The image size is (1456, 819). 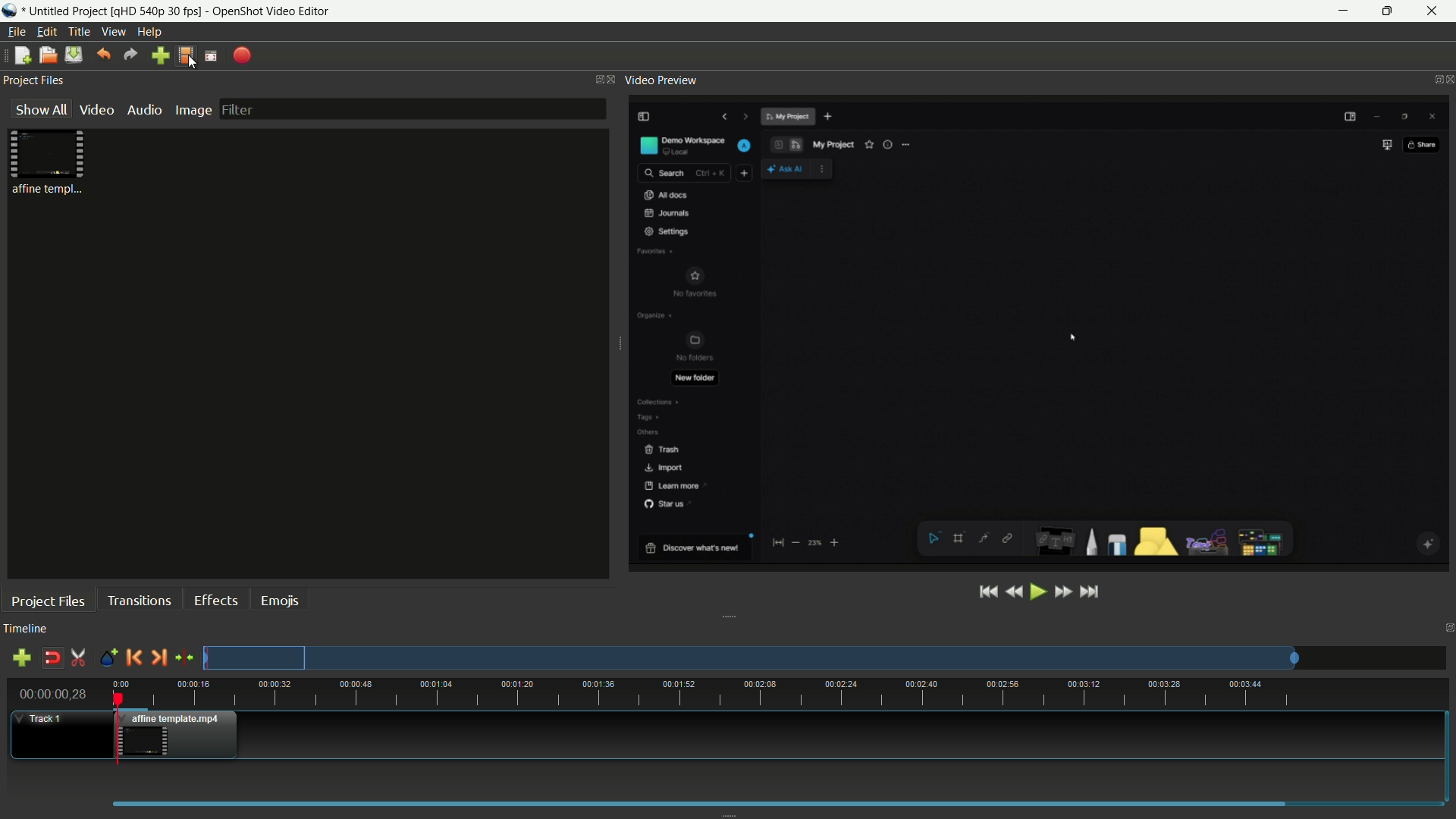 I want to click on edit menu, so click(x=46, y=32).